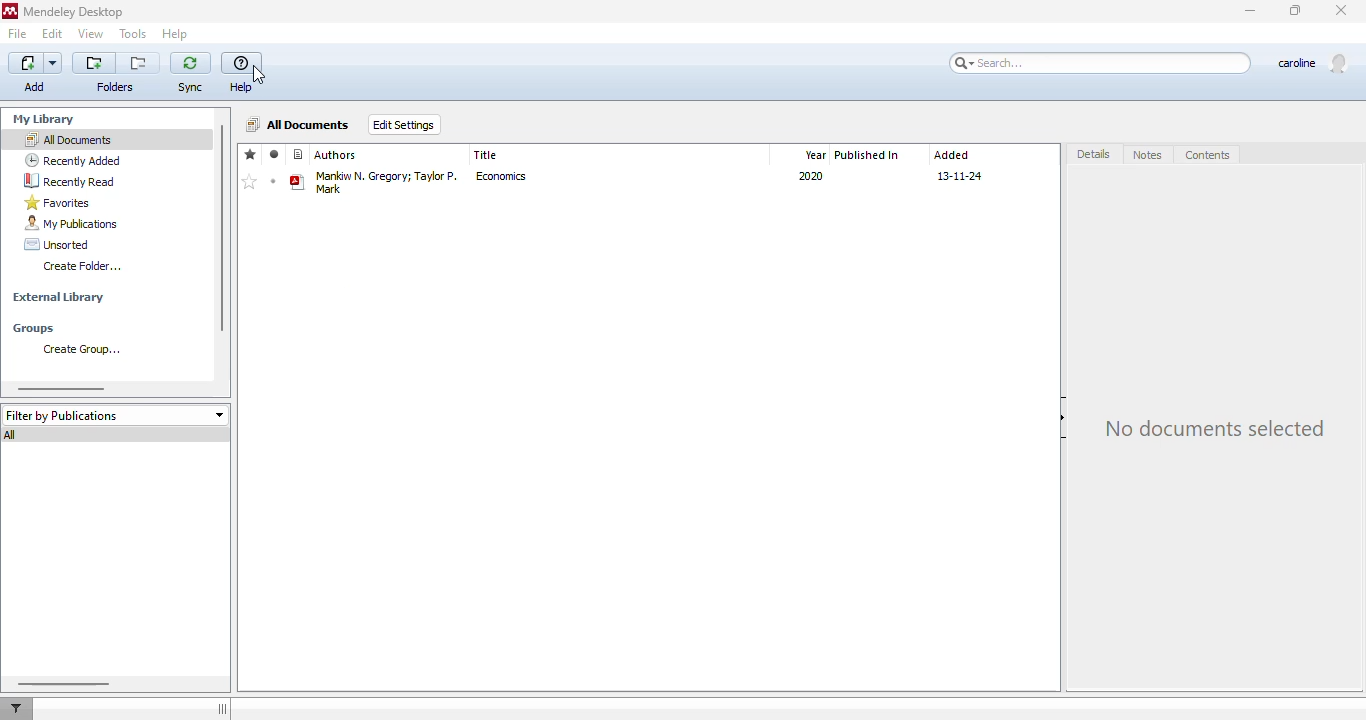  I want to click on minimize, so click(1249, 11).